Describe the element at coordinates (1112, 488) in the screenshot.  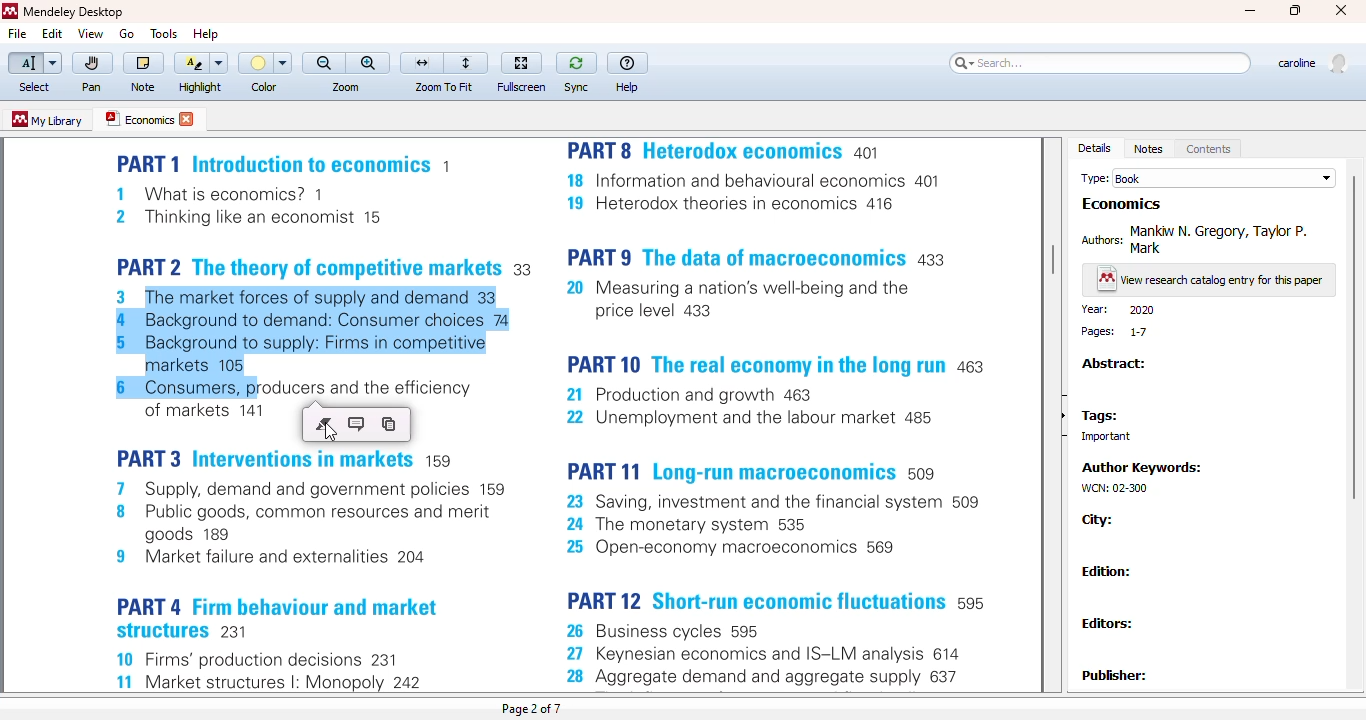
I see `WCN: 02-300` at that location.